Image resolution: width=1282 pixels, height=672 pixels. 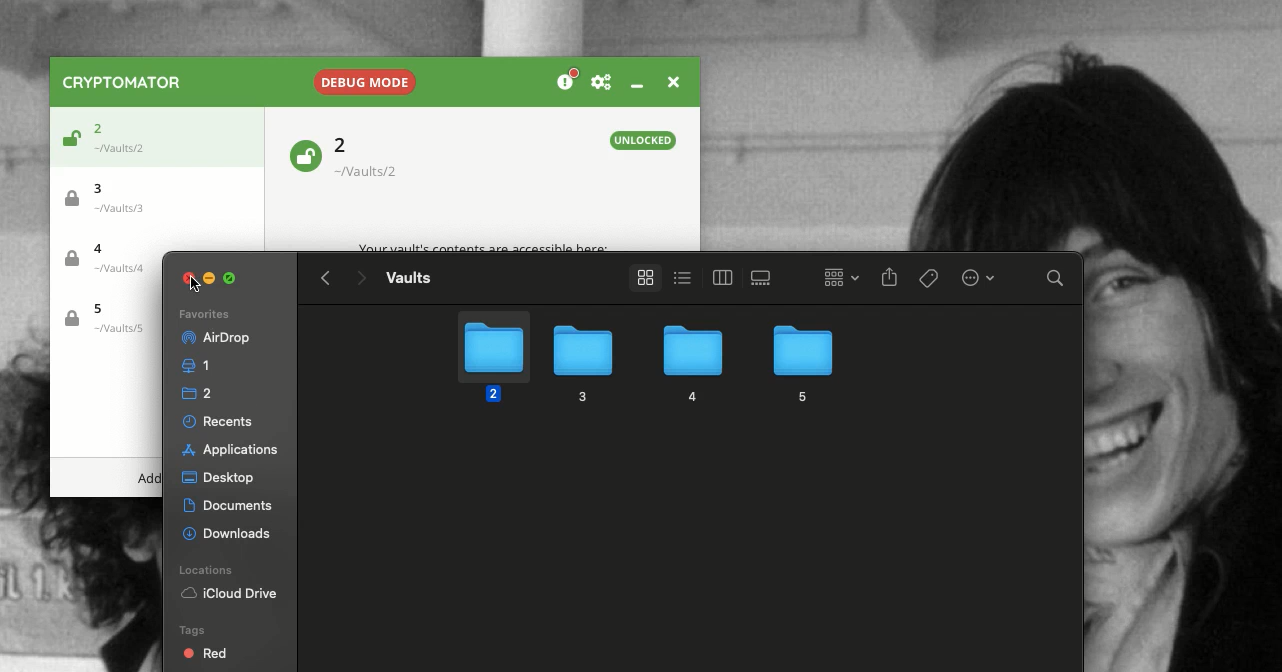 I want to click on View 3, so click(x=764, y=278).